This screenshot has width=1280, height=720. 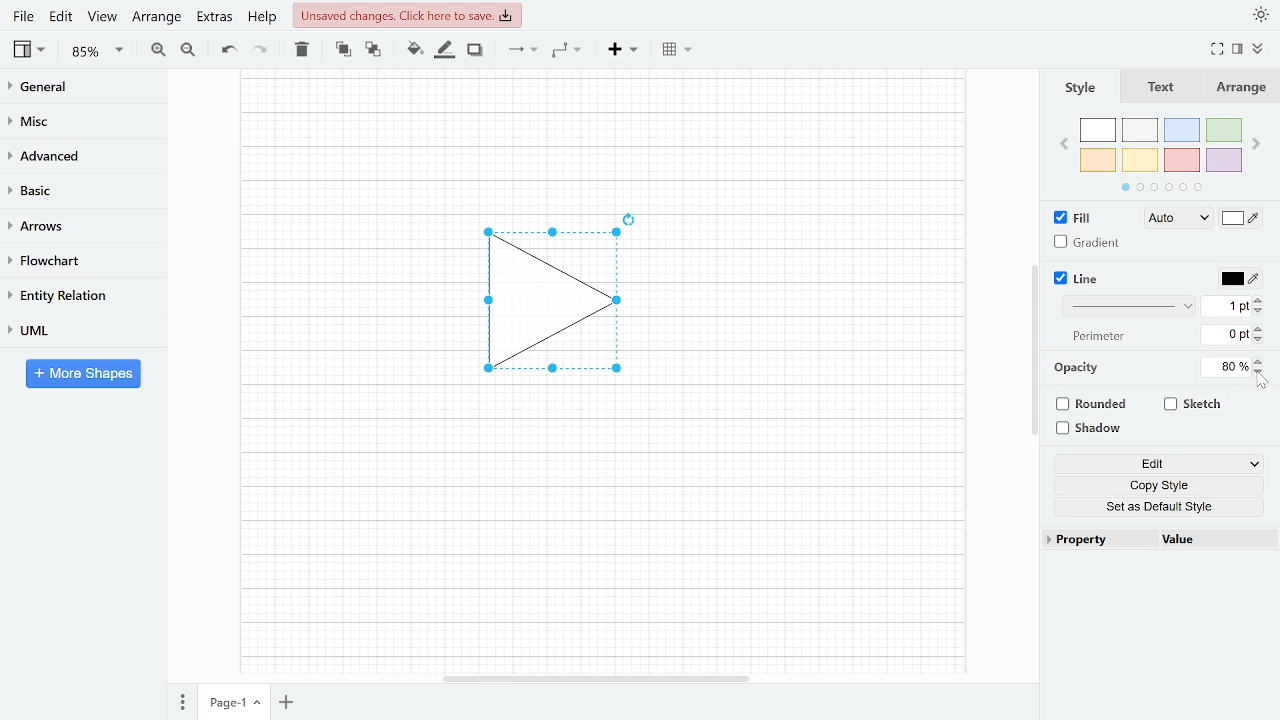 What do you see at coordinates (102, 16) in the screenshot?
I see `View` at bounding box center [102, 16].